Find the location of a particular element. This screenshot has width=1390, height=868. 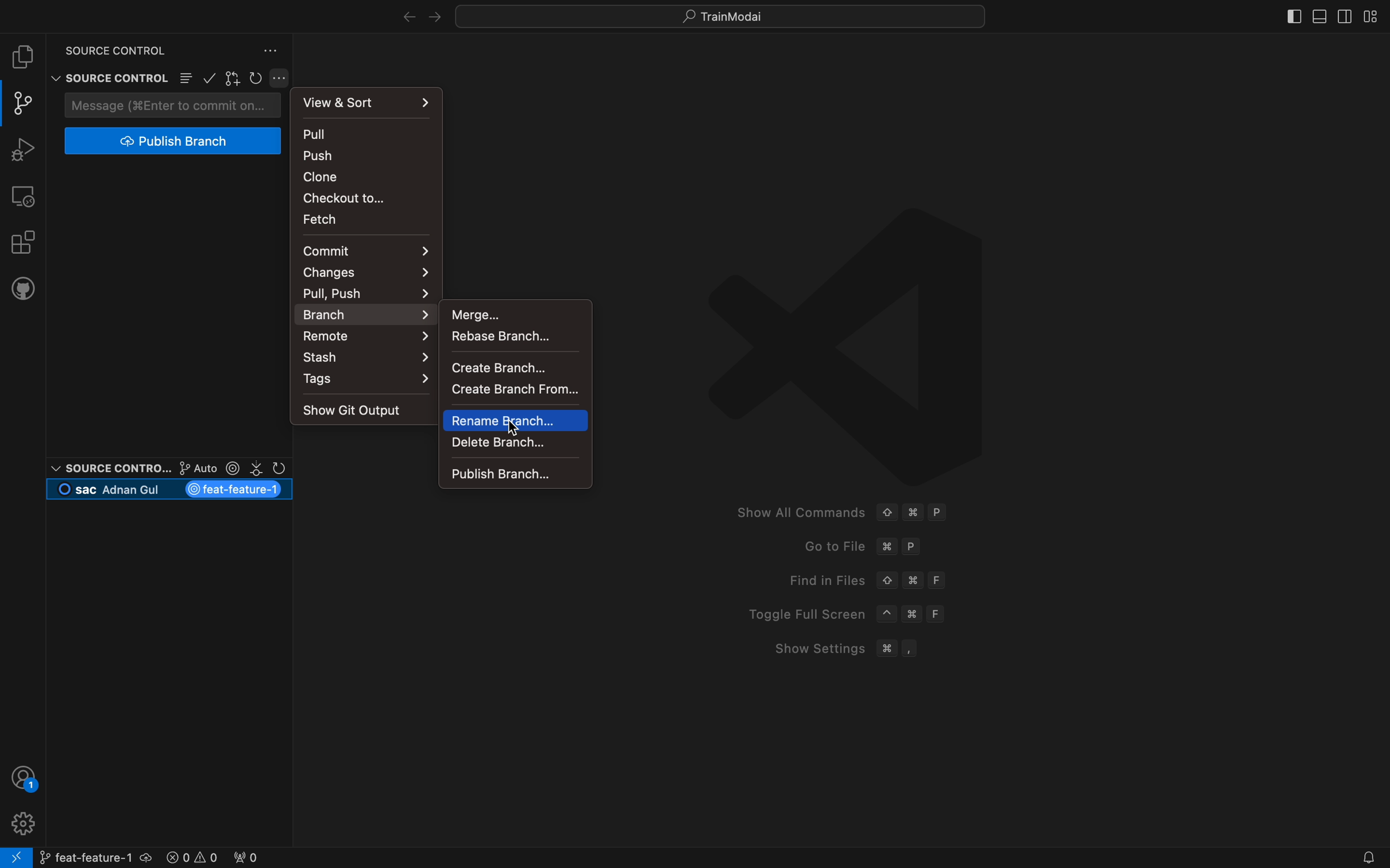

Source control is located at coordinates (108, 467).